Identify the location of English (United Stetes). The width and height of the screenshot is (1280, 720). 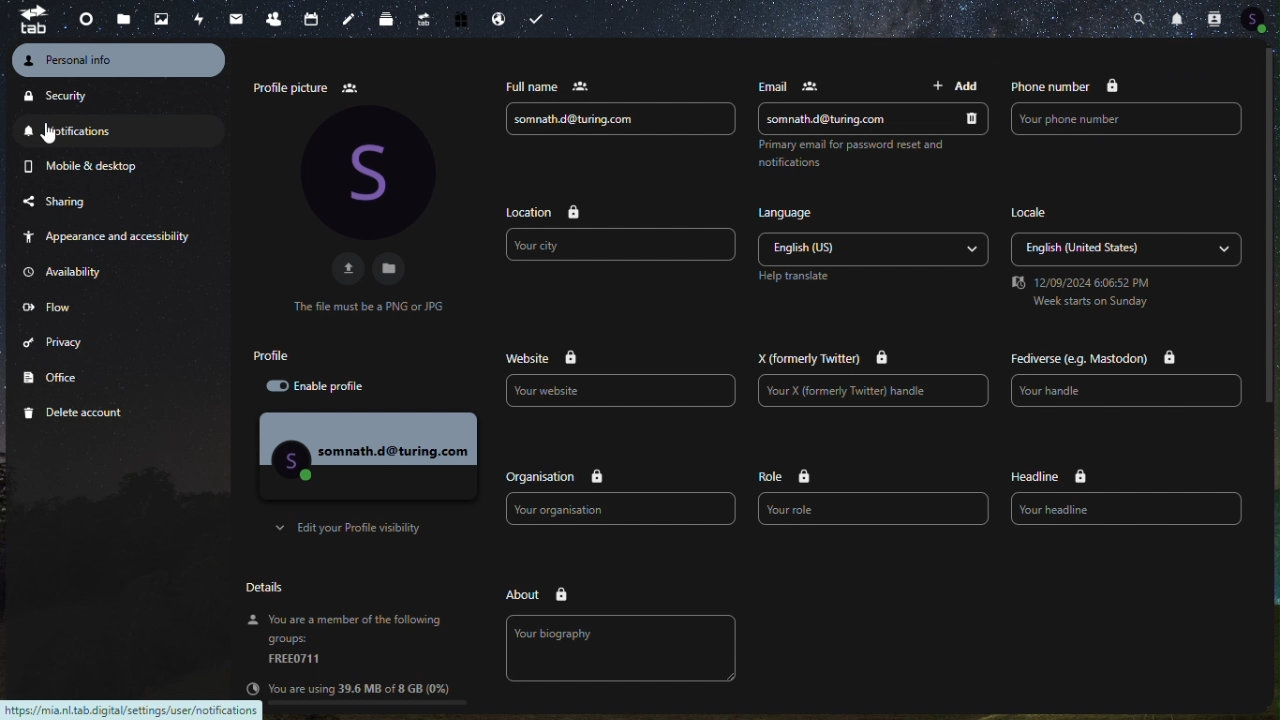
(1123, 249).